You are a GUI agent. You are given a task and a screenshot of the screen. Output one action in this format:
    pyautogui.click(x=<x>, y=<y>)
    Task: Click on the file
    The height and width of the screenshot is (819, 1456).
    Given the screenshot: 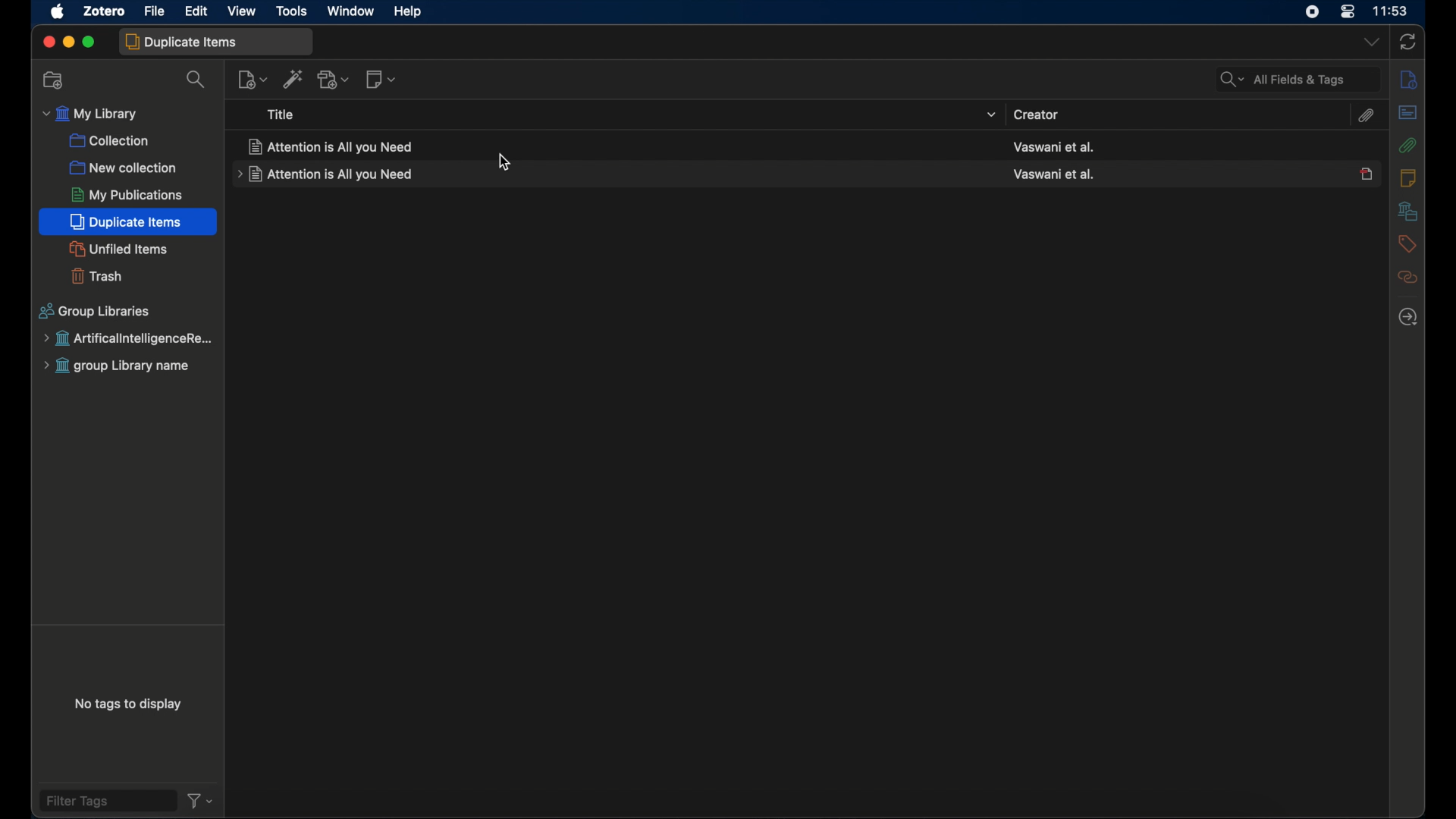 What is the action you would take?
    pyautogui.click(x=156, y=11)
    